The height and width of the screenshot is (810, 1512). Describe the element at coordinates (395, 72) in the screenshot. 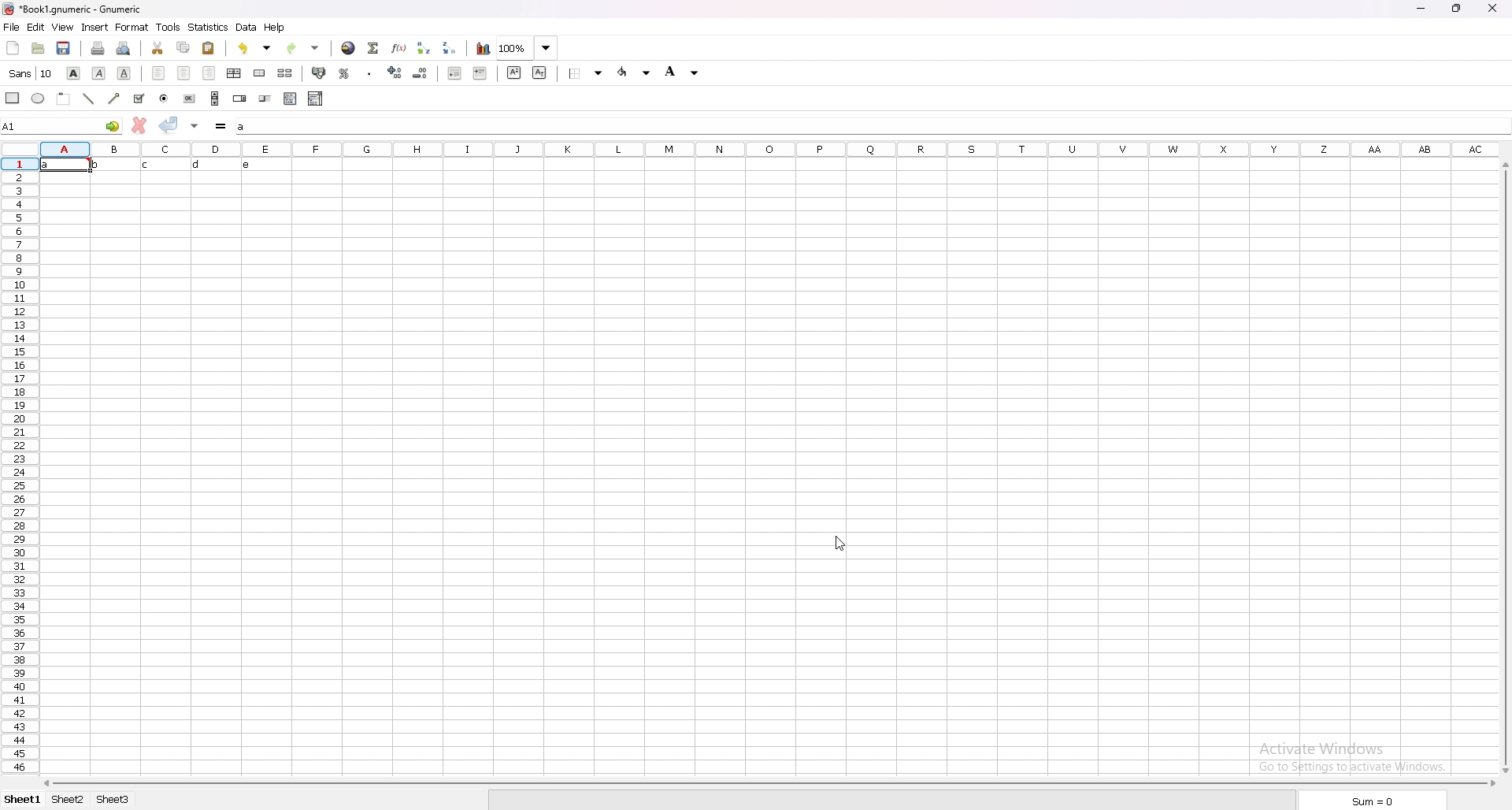

I see `increase decimals` at that location.